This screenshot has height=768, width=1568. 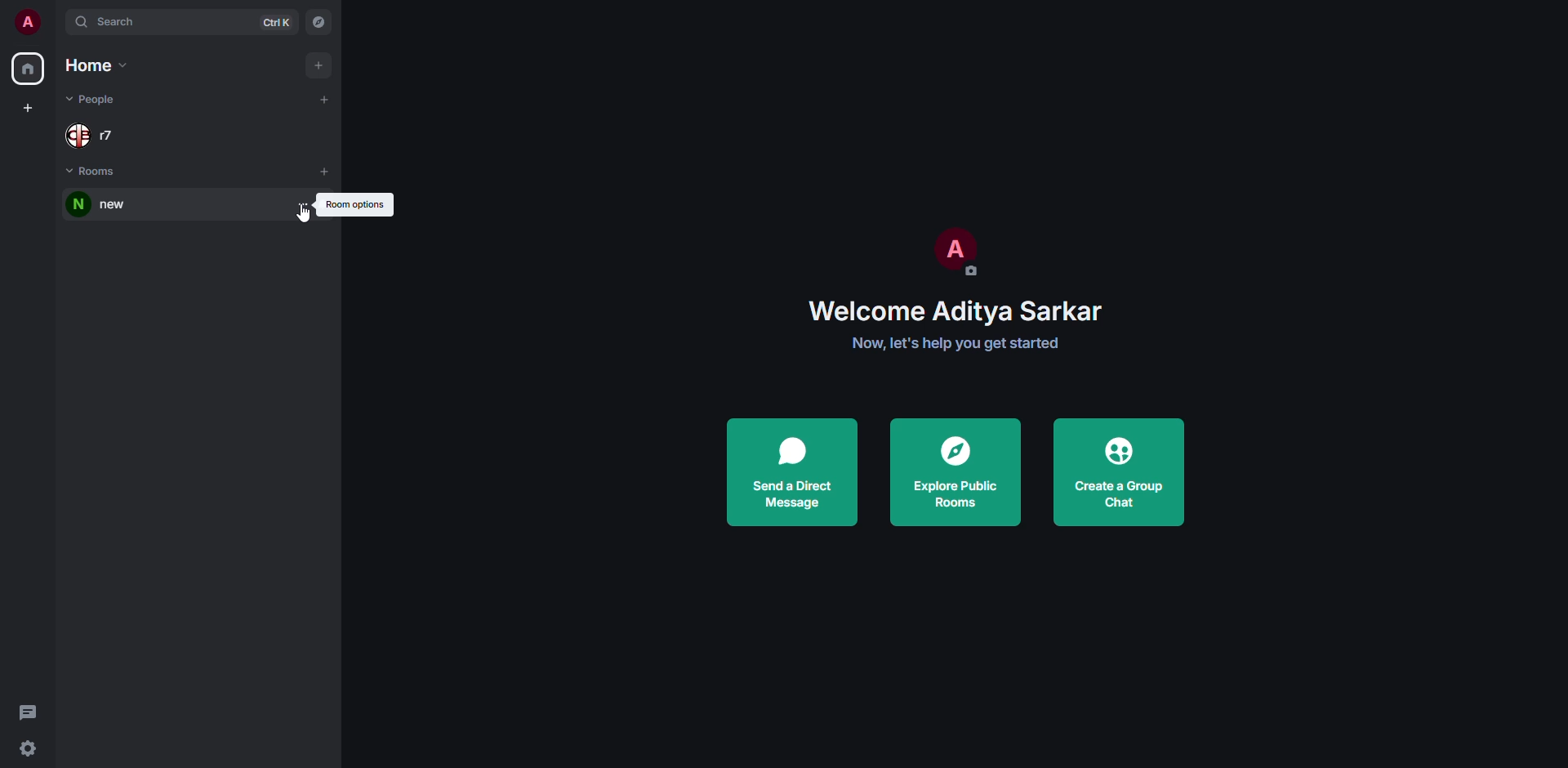 I want to click on room options, so click(x=358, y=204).